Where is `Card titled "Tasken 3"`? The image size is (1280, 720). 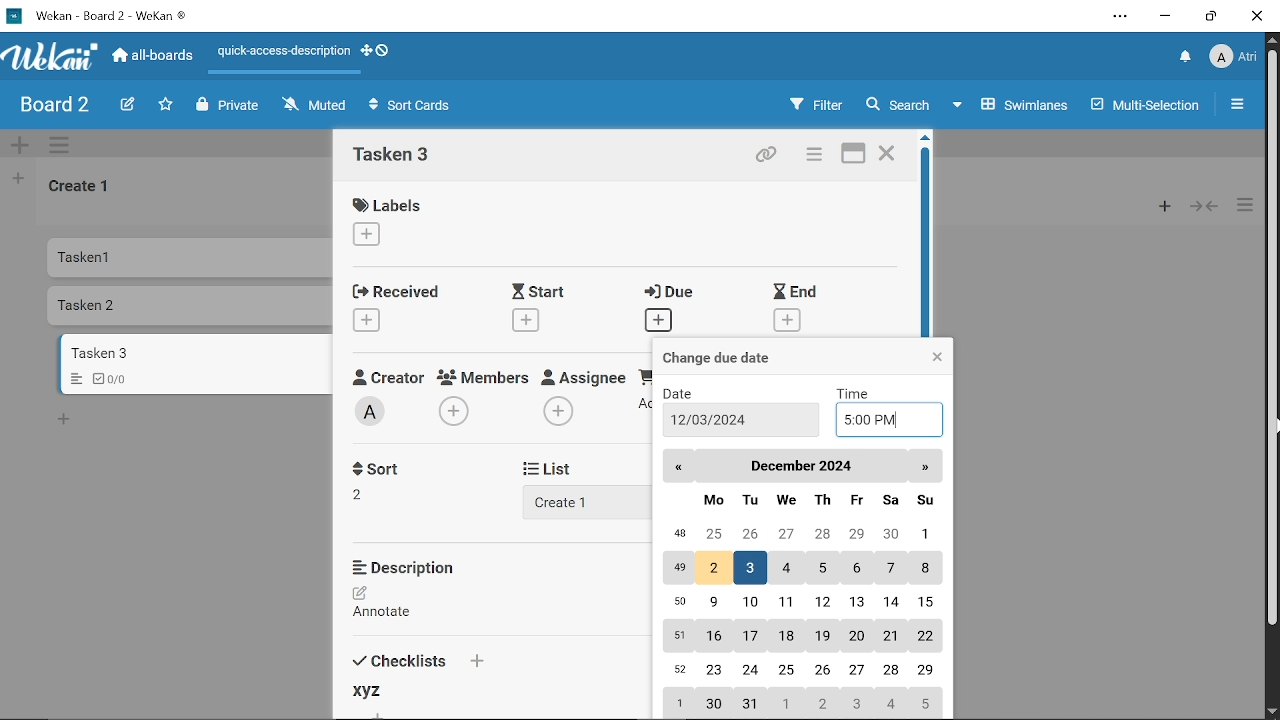 Card titled "Tasken 3" is located at coordinates (197, 353).